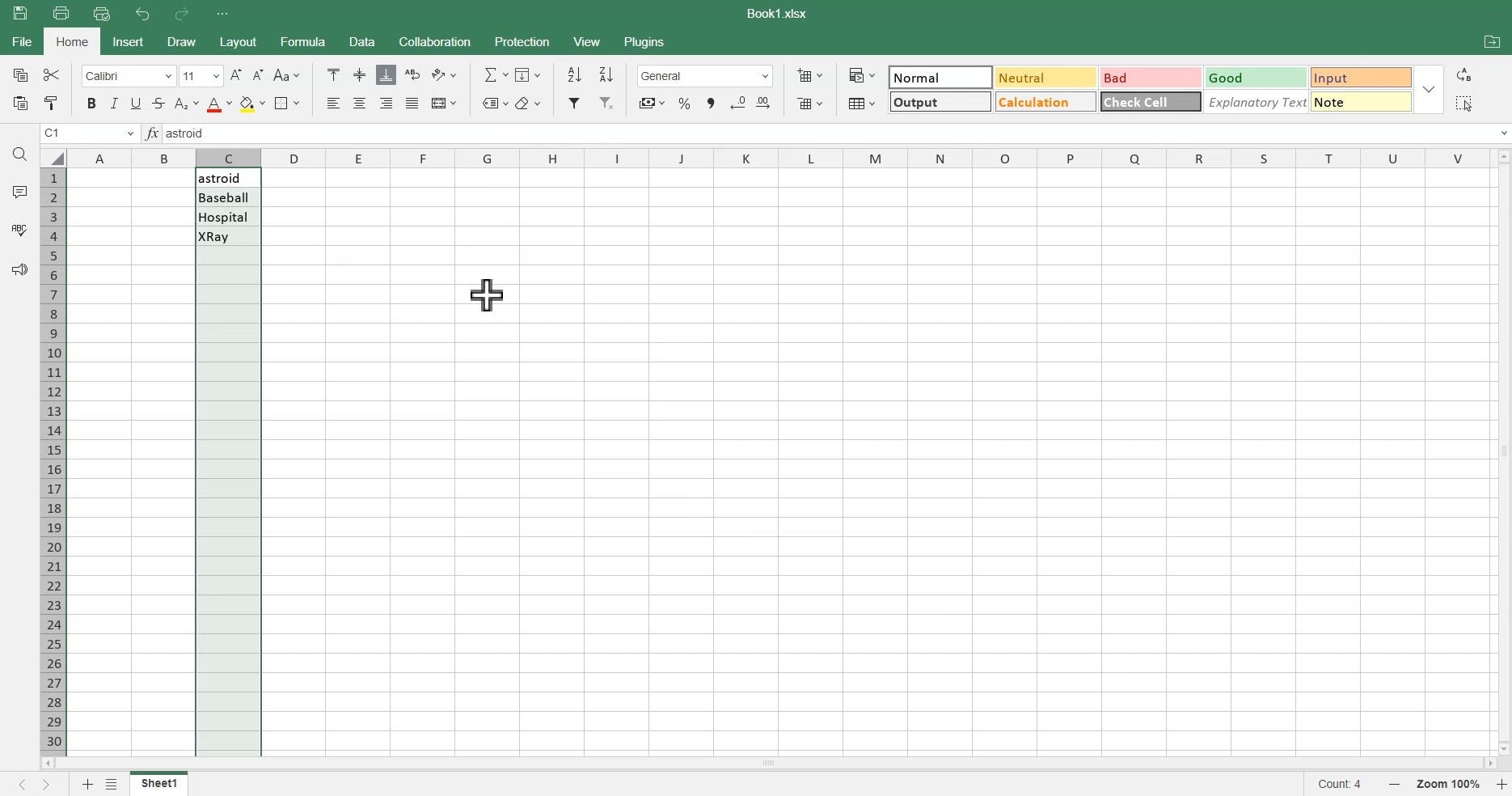 Image resolution: width=1512 pixels, height=796 pixels. I want to click on Italic, so click(115, 103).